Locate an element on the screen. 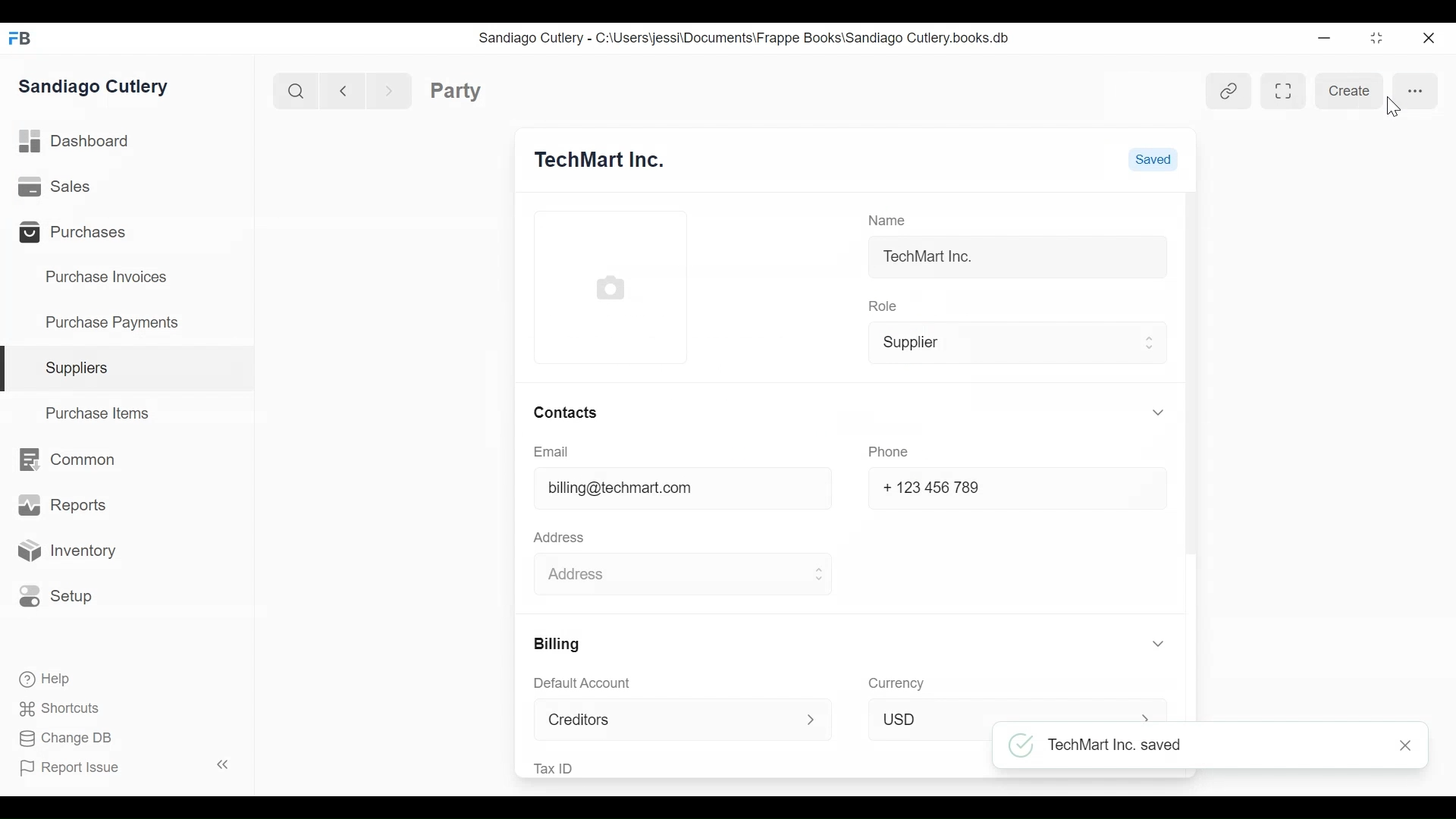 The image size is (1456, 819). minimize is located at coordinates (1326, 39).